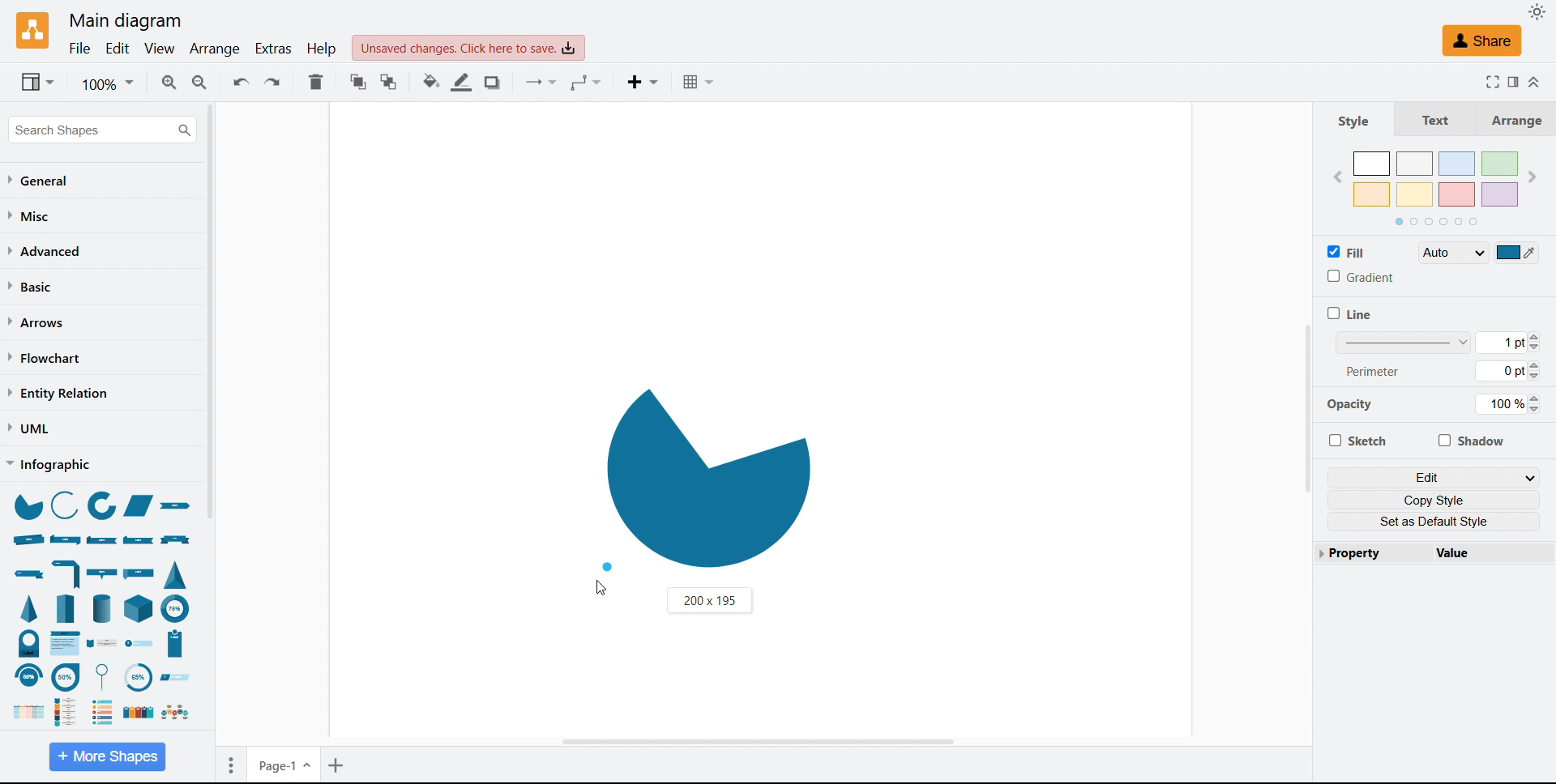  What do you see at coordinates (139, 539) in the screenshot?
I see `ribbon back fold` at bounding box center [139, 539].